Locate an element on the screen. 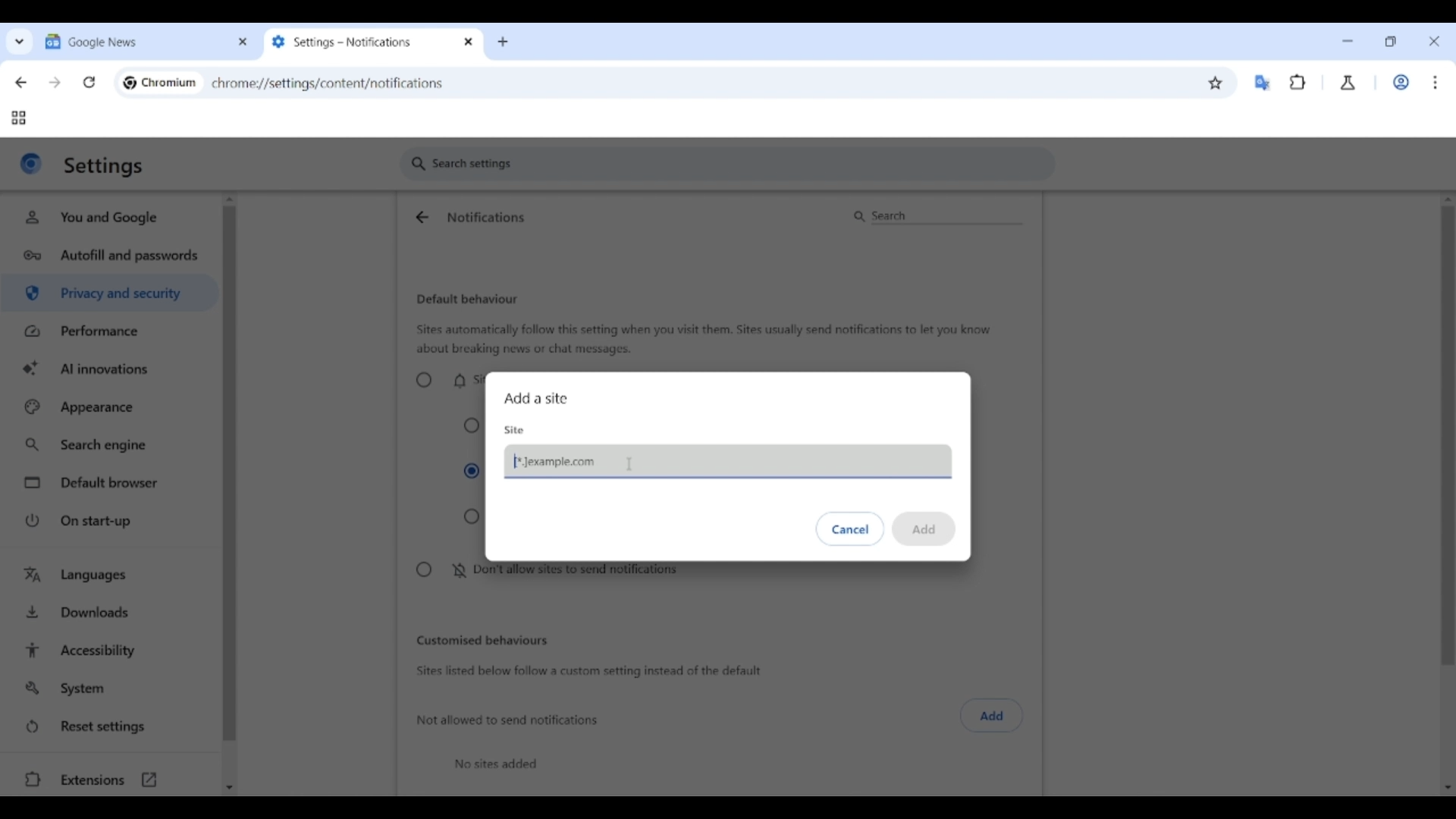 The image size is (1456, 819). Search engine is located at coordinates (111, 445).